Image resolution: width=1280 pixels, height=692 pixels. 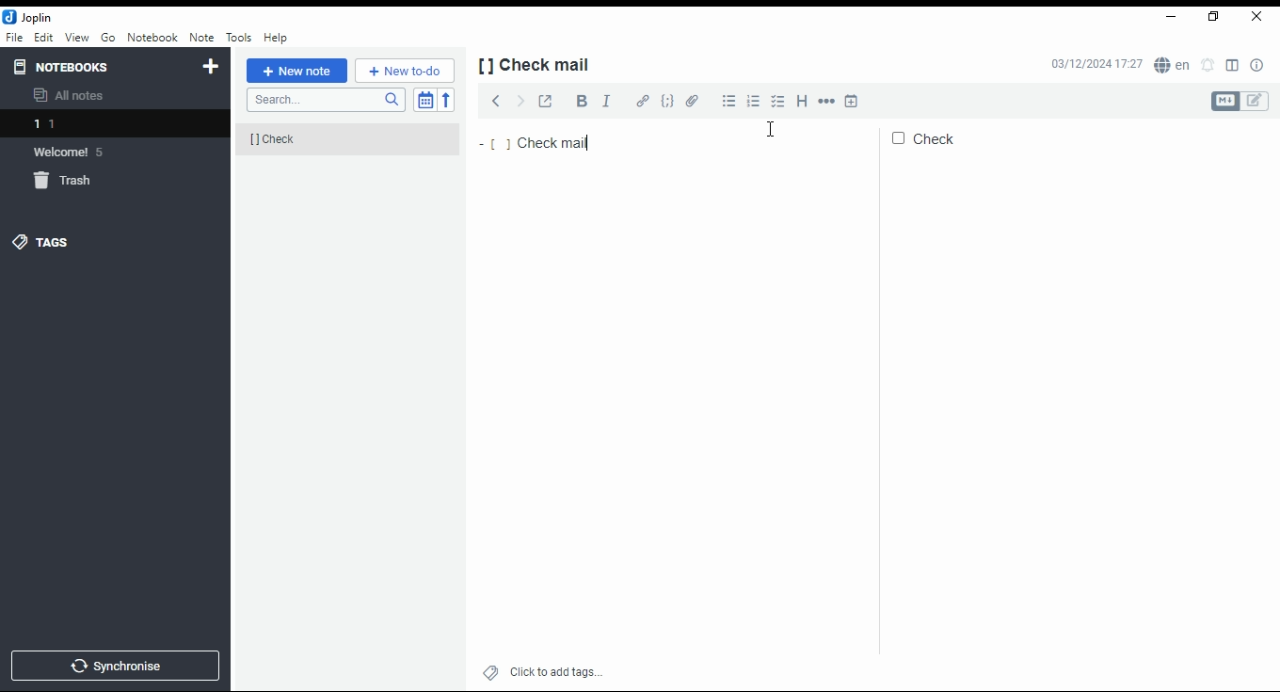 What do you see at coordinates (51, 246) in the screenshot?
I see `tags` at bounding box center [51, 246].